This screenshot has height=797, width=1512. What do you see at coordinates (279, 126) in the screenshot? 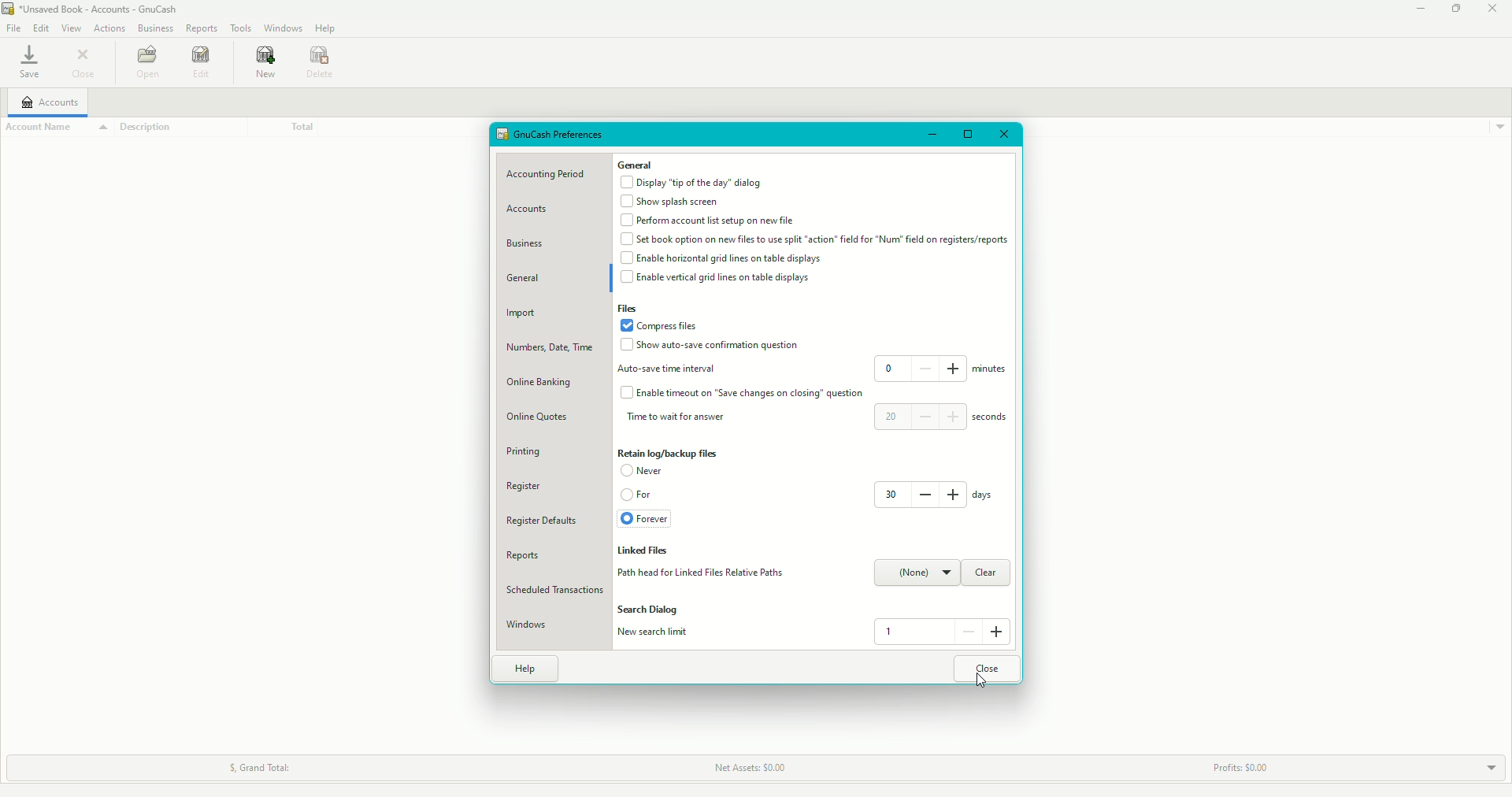
I see `Total` at bounding box center [279, 126].